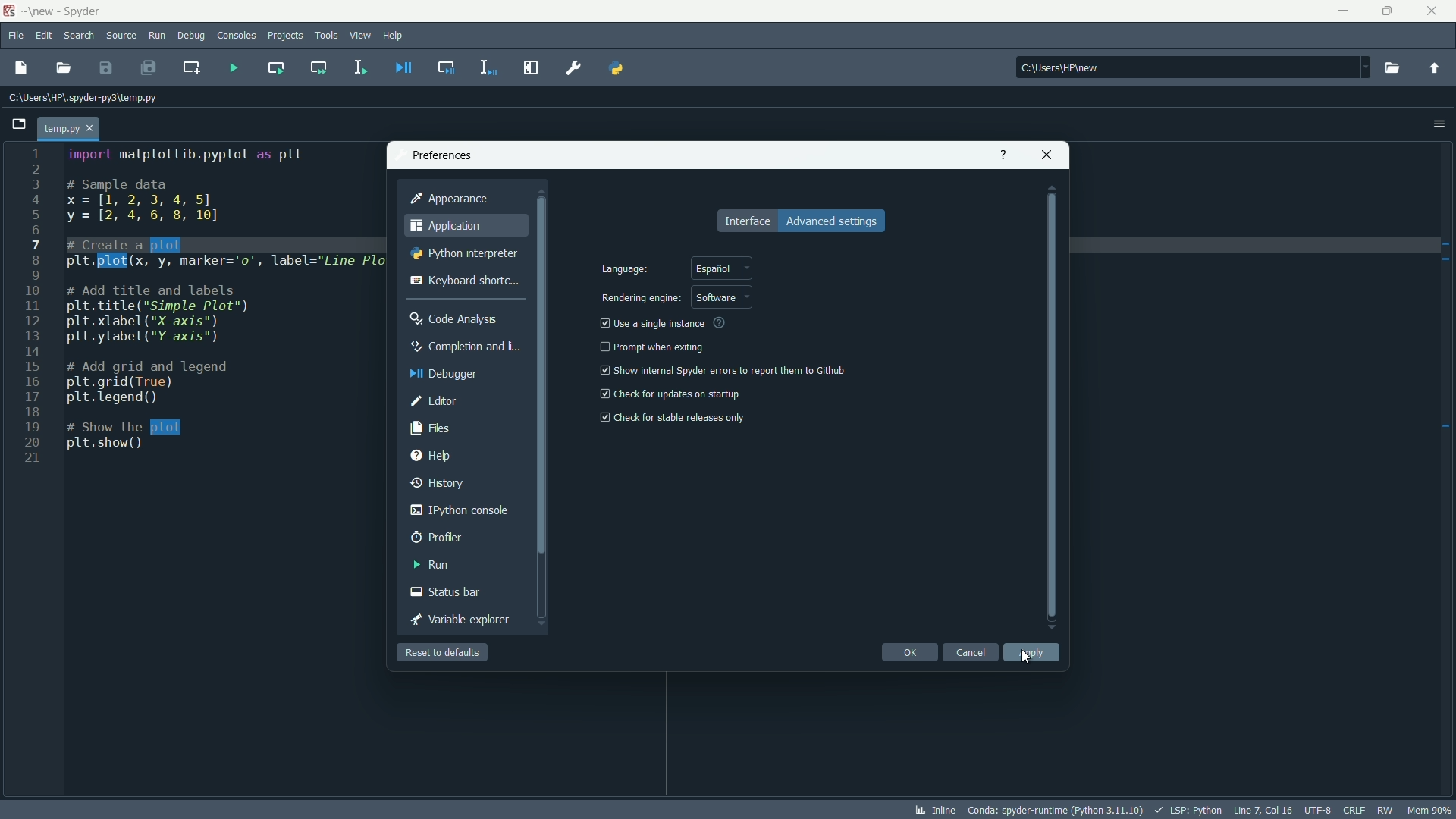 This screenshot has width=1456, height=819. I want to click on file encoding, so click(1317, 811).